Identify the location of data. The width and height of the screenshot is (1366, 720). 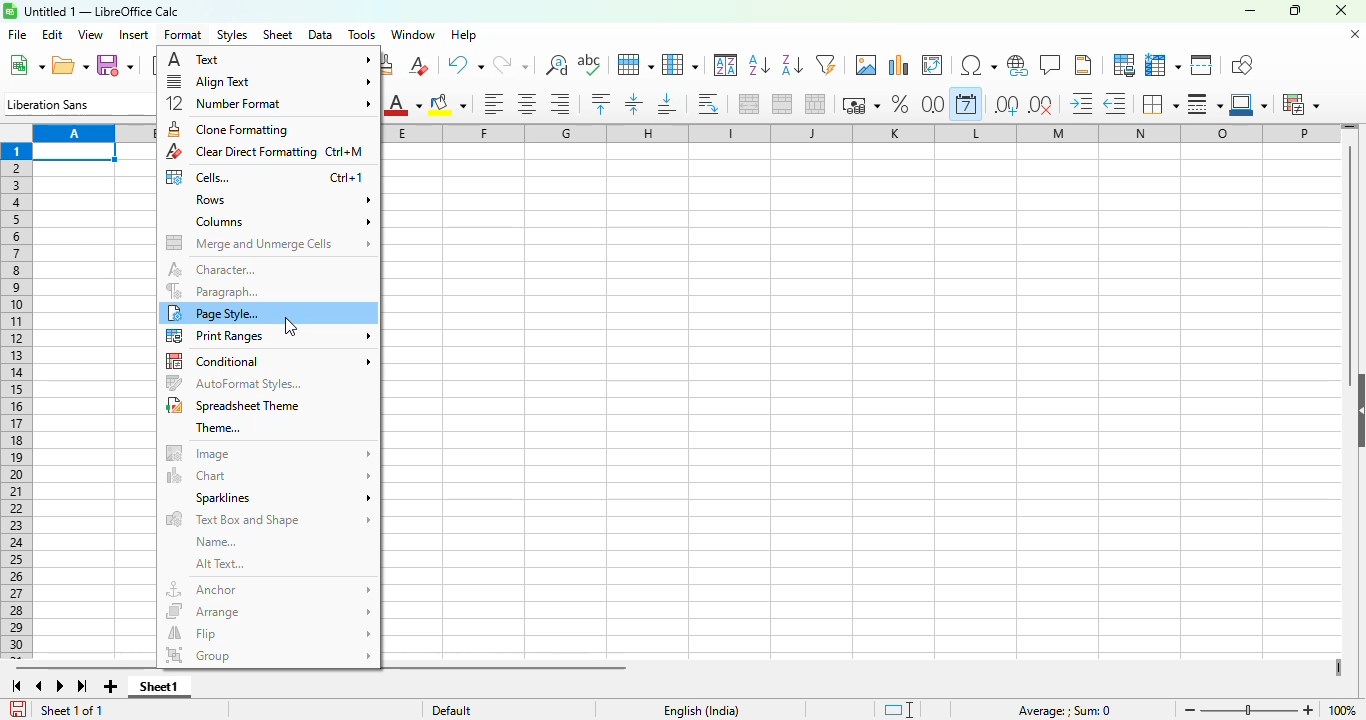
(321, 35).